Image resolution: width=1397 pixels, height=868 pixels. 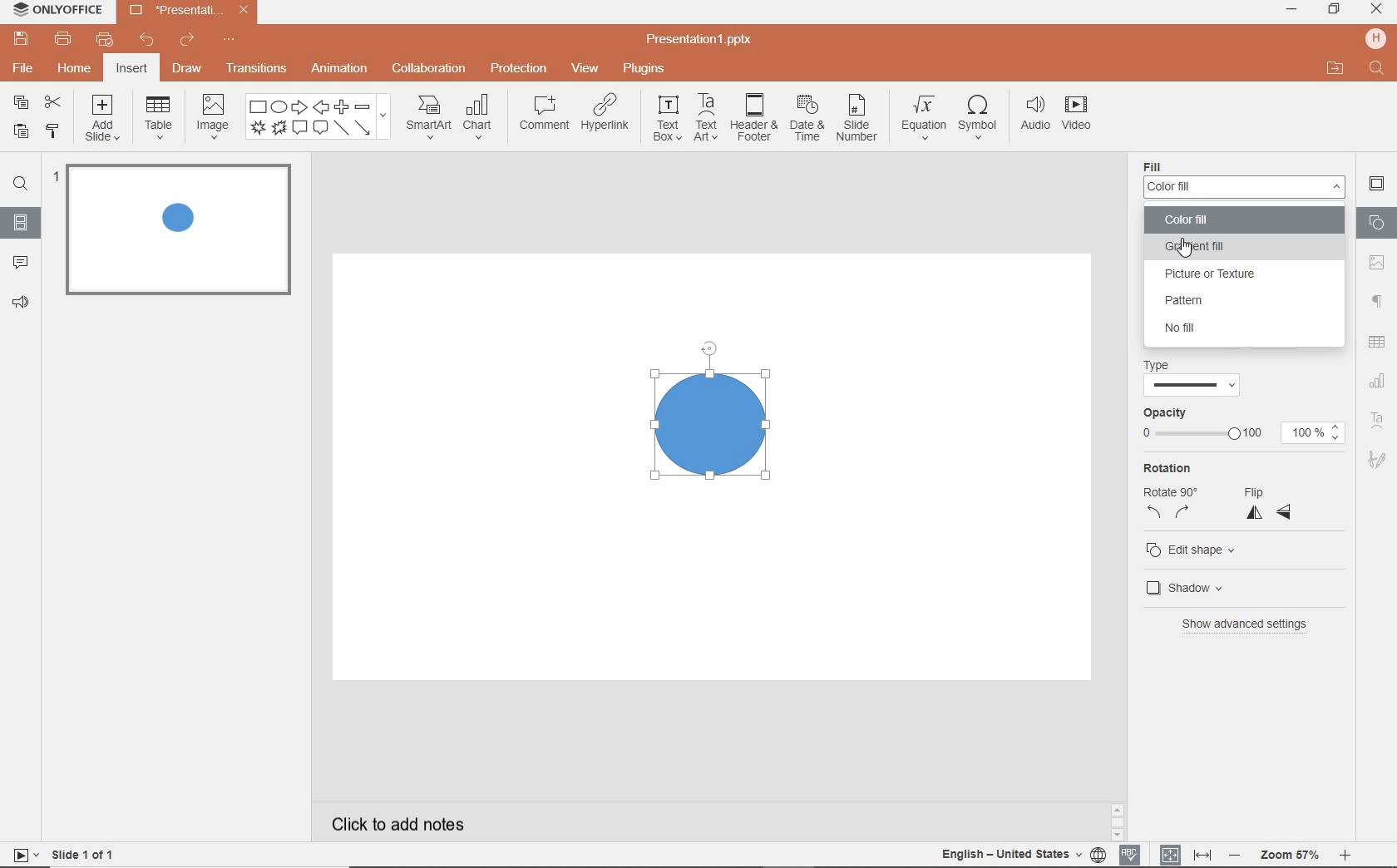 I want to click on paragraph settings, so click(x=1378, y=299).